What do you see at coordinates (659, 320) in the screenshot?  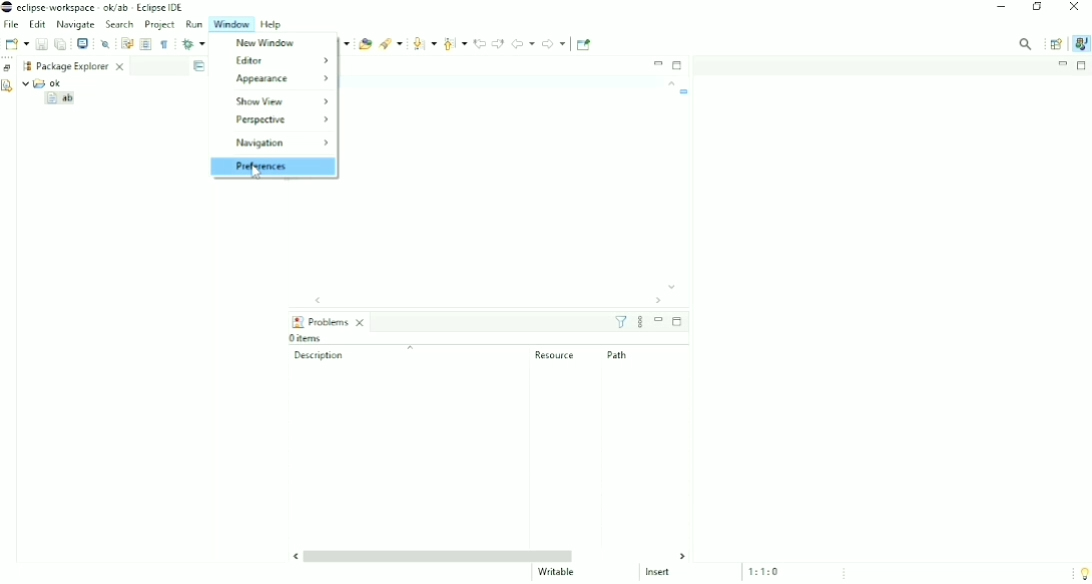 I see `Minimize` at bounding box center [659, 320].